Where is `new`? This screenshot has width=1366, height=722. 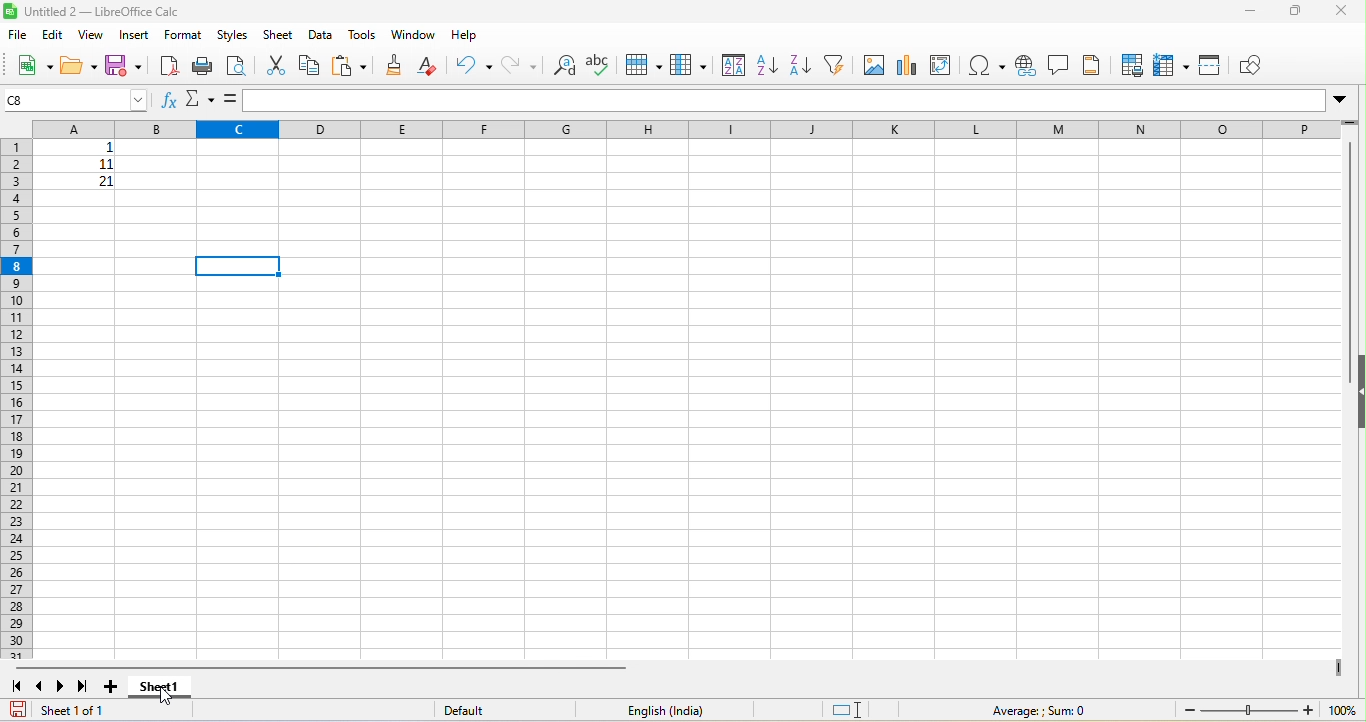 new is located at coordinates (33, 68).